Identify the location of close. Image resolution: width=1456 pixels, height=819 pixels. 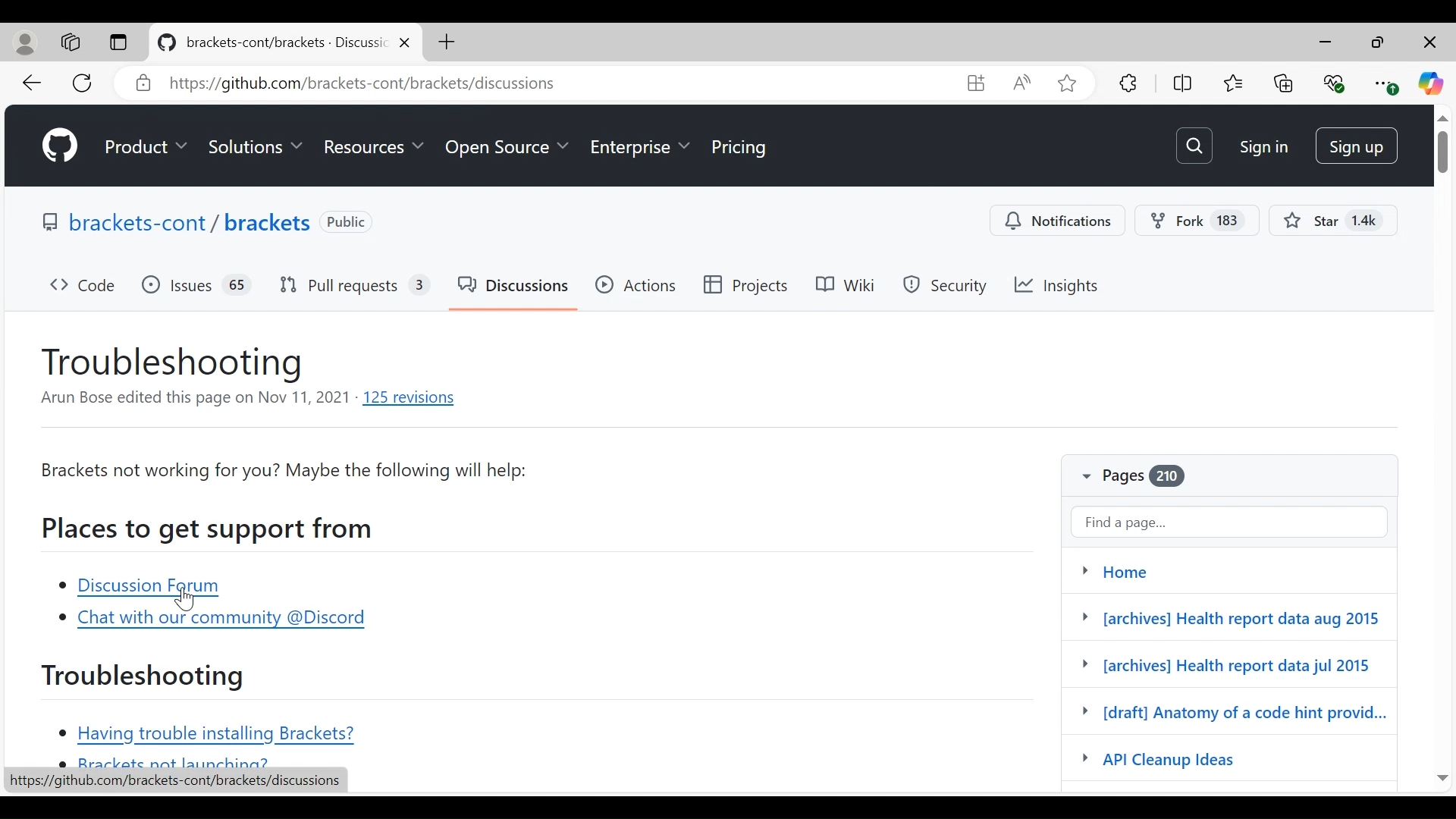
(406, 45).